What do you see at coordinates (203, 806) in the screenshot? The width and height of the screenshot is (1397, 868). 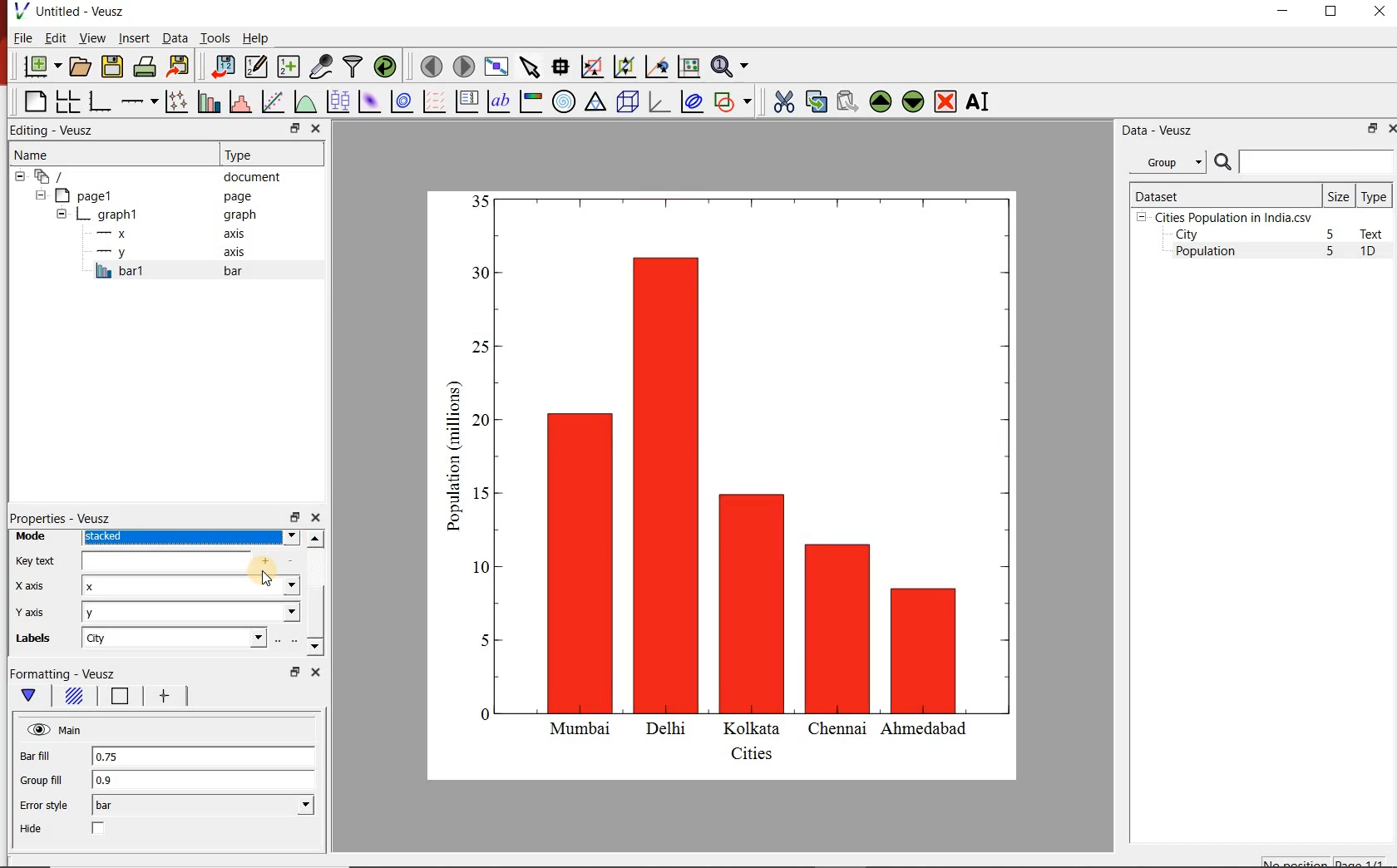 I see `bar` at bounding box center [203, 806].